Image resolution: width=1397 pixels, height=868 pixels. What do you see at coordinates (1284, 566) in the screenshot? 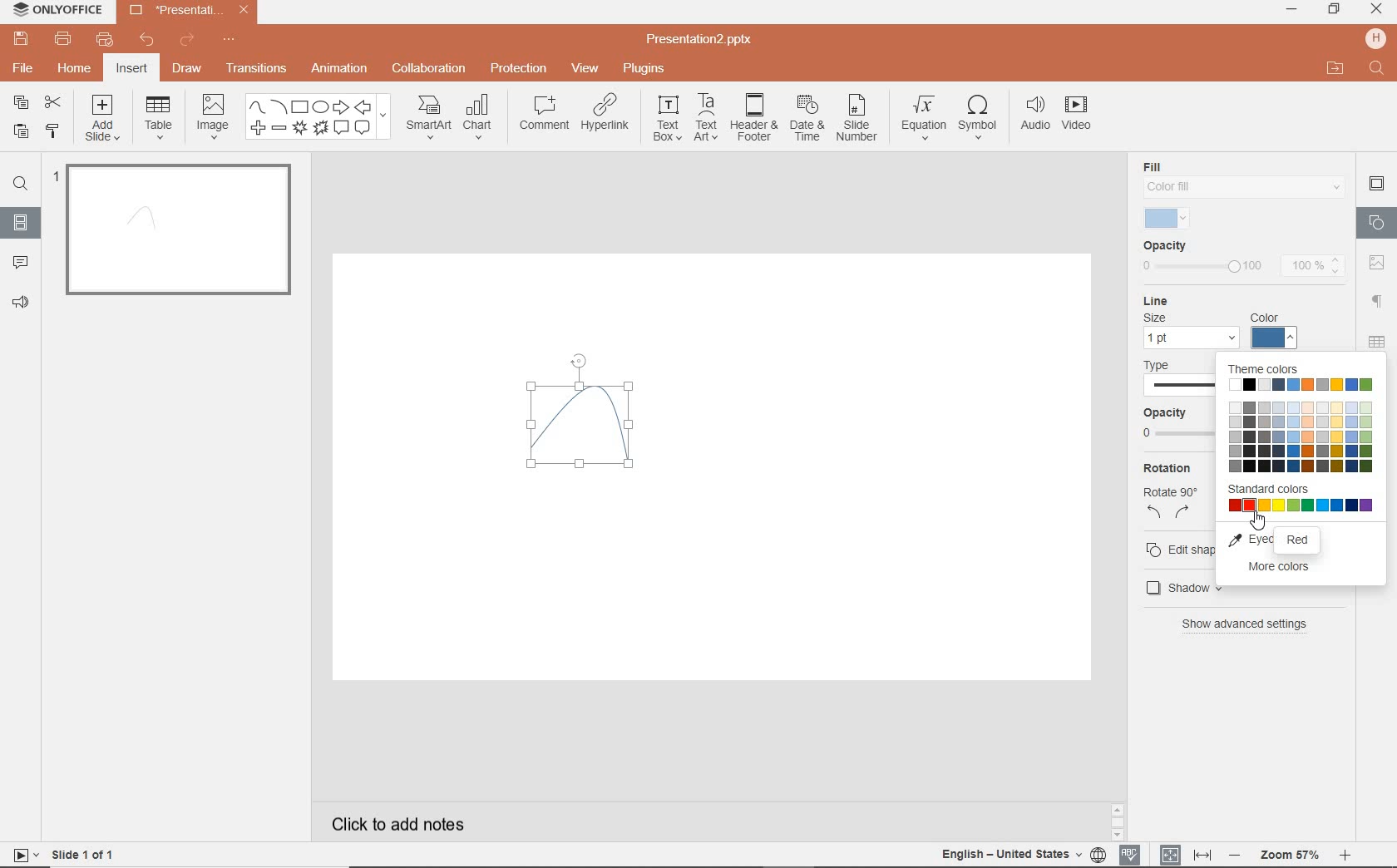
I see `more colors` at bounding box center [1284, 566].